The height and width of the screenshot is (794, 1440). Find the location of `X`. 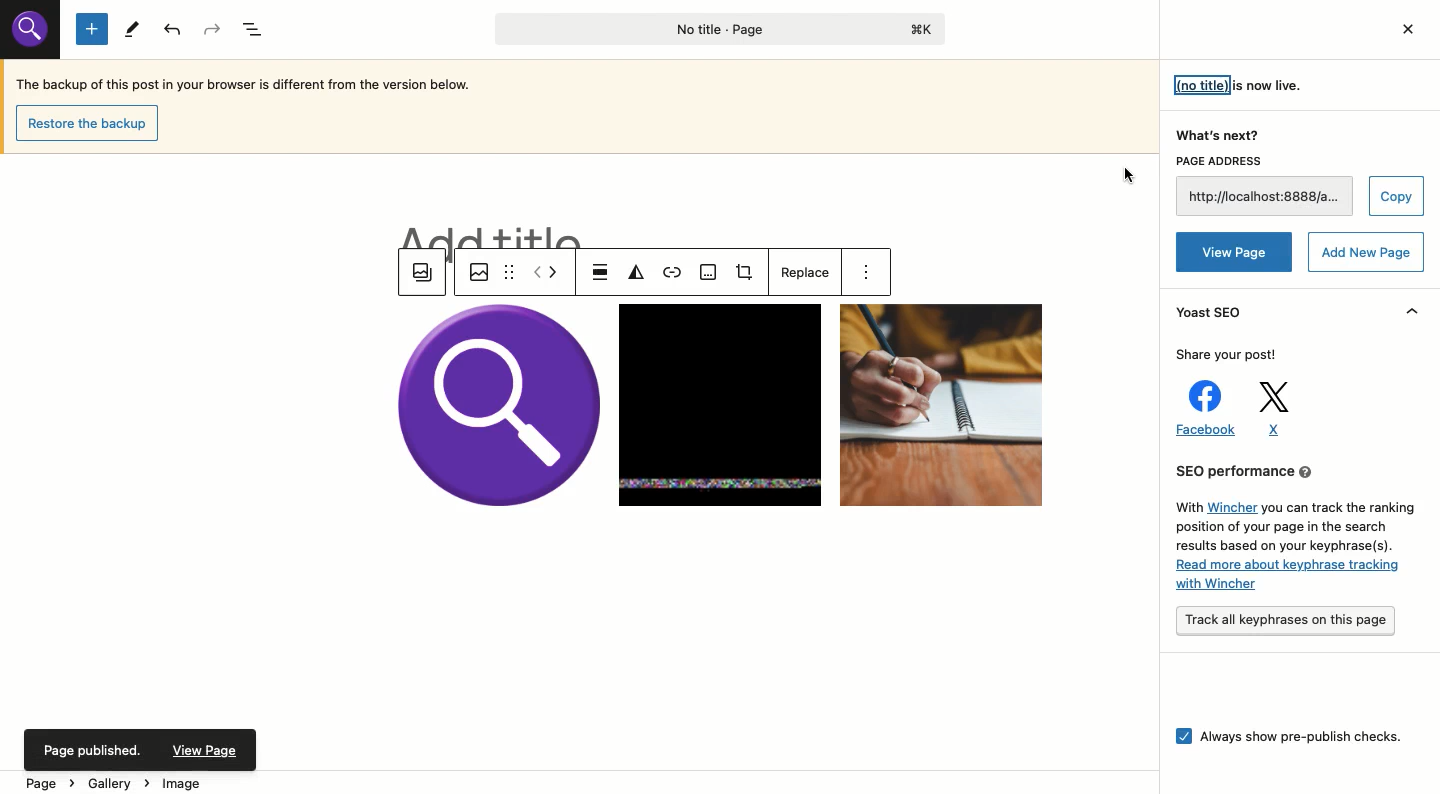

X is located at coordinates (1270, 409).